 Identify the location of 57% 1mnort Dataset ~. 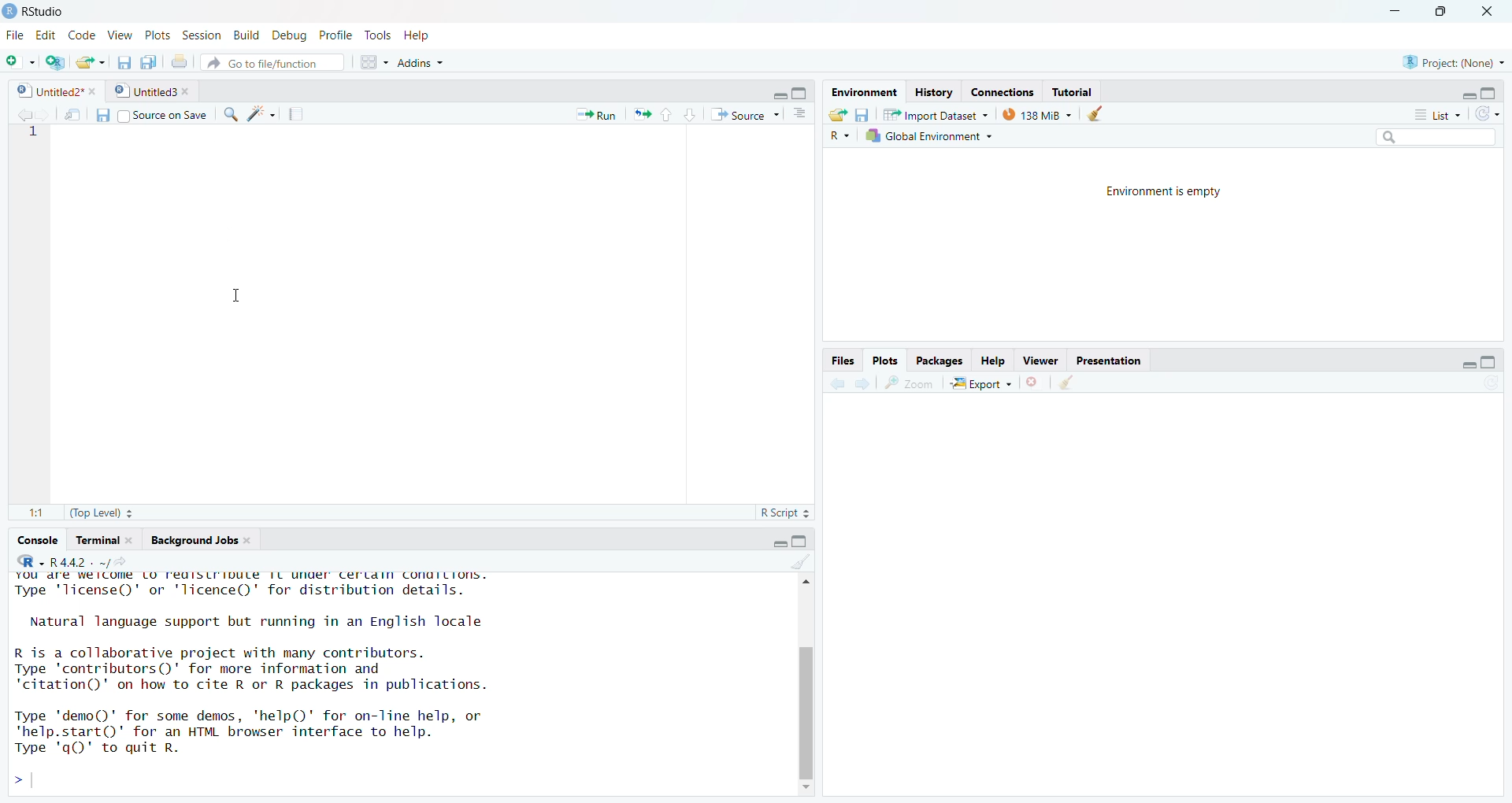
(932, 113).